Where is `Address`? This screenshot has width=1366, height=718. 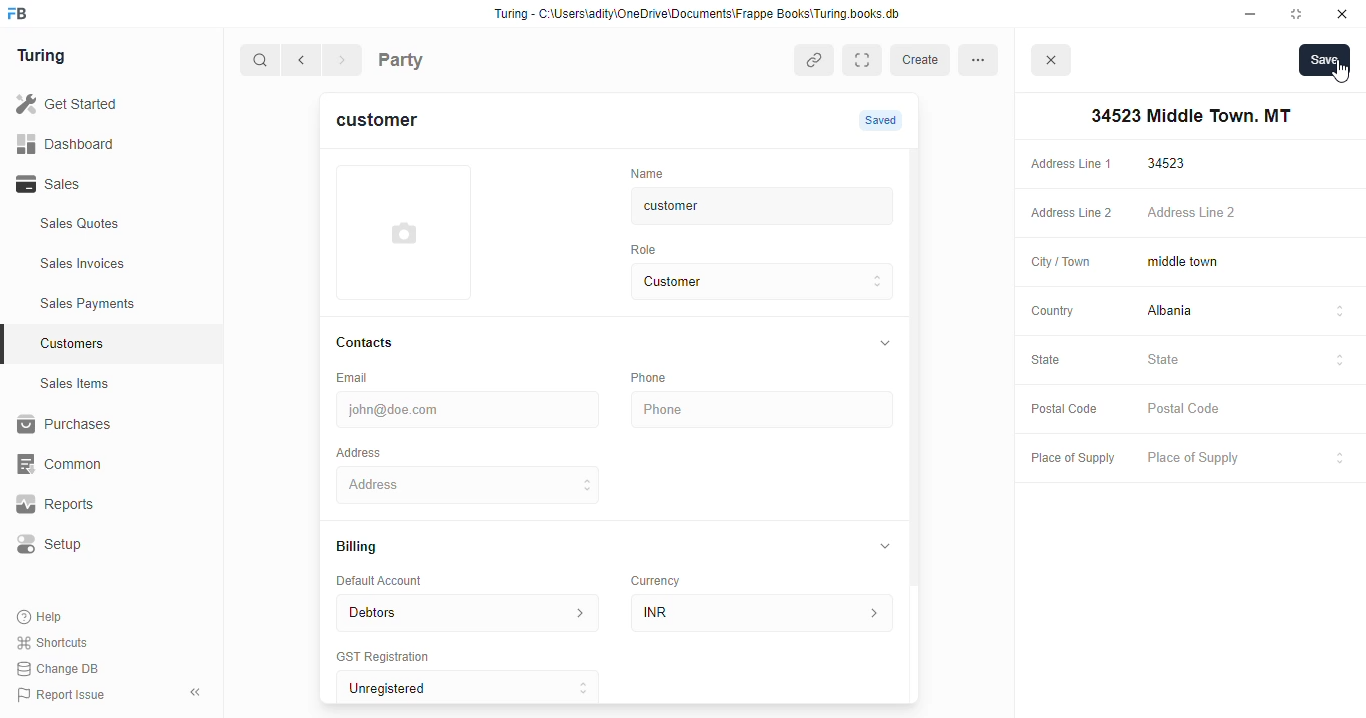
Address is located at coordinates (372, 451).